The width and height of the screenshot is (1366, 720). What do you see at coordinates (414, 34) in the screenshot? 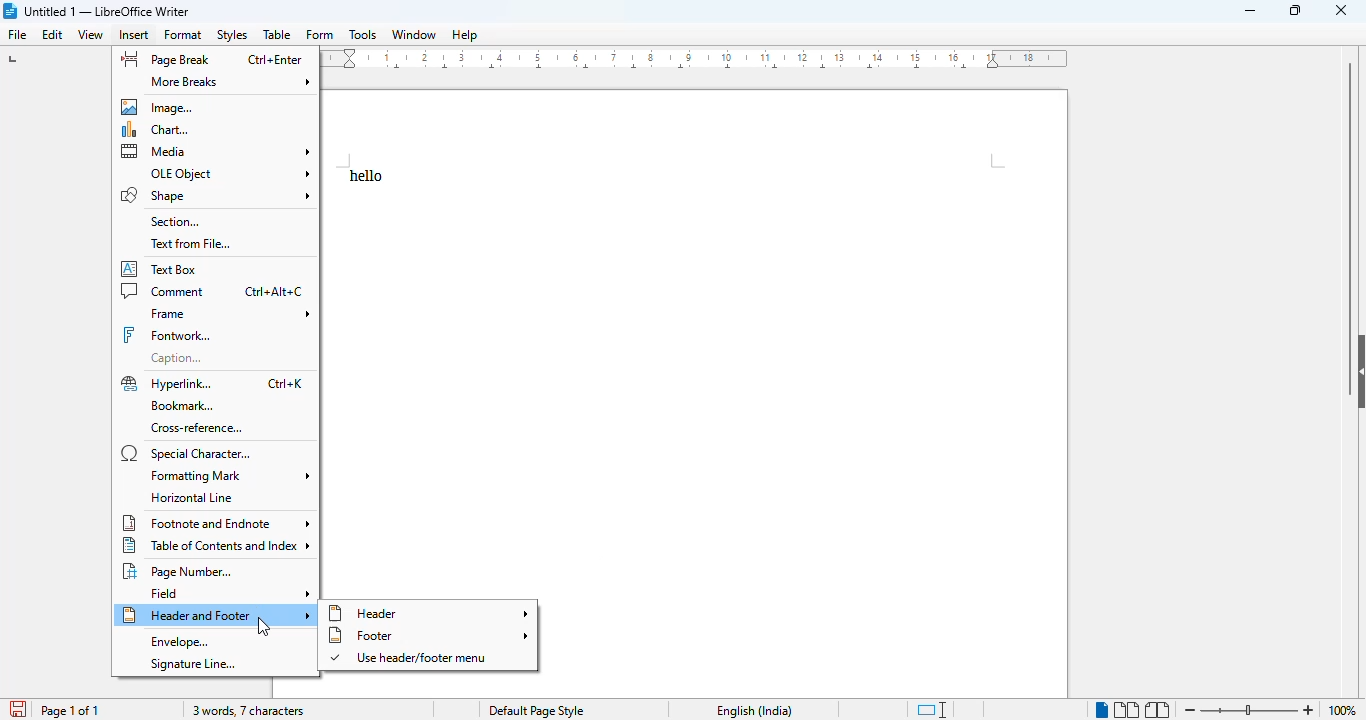
I see `window` at bounding box center [414, 34].